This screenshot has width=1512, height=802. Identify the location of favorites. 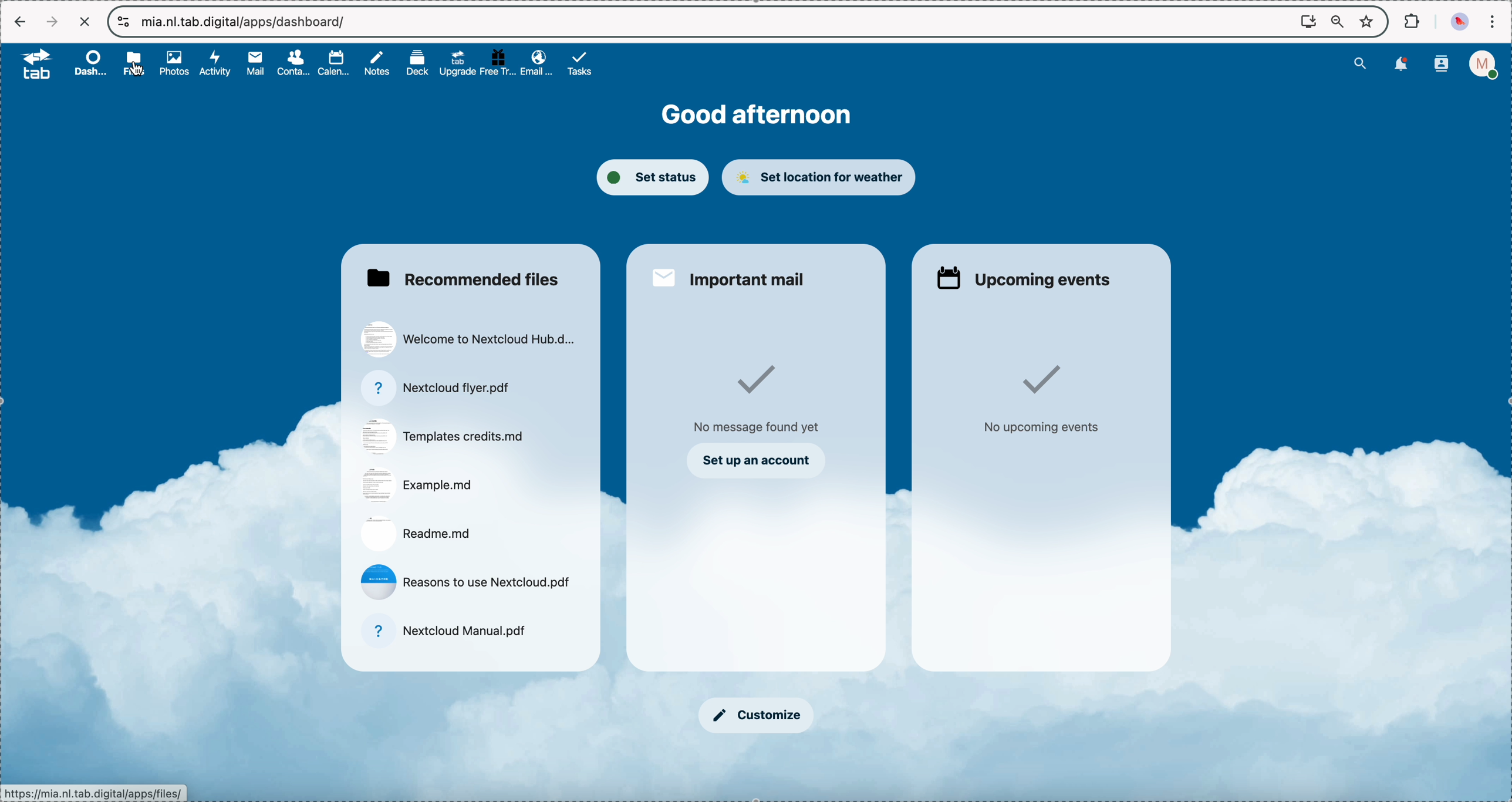
(1369, 21).